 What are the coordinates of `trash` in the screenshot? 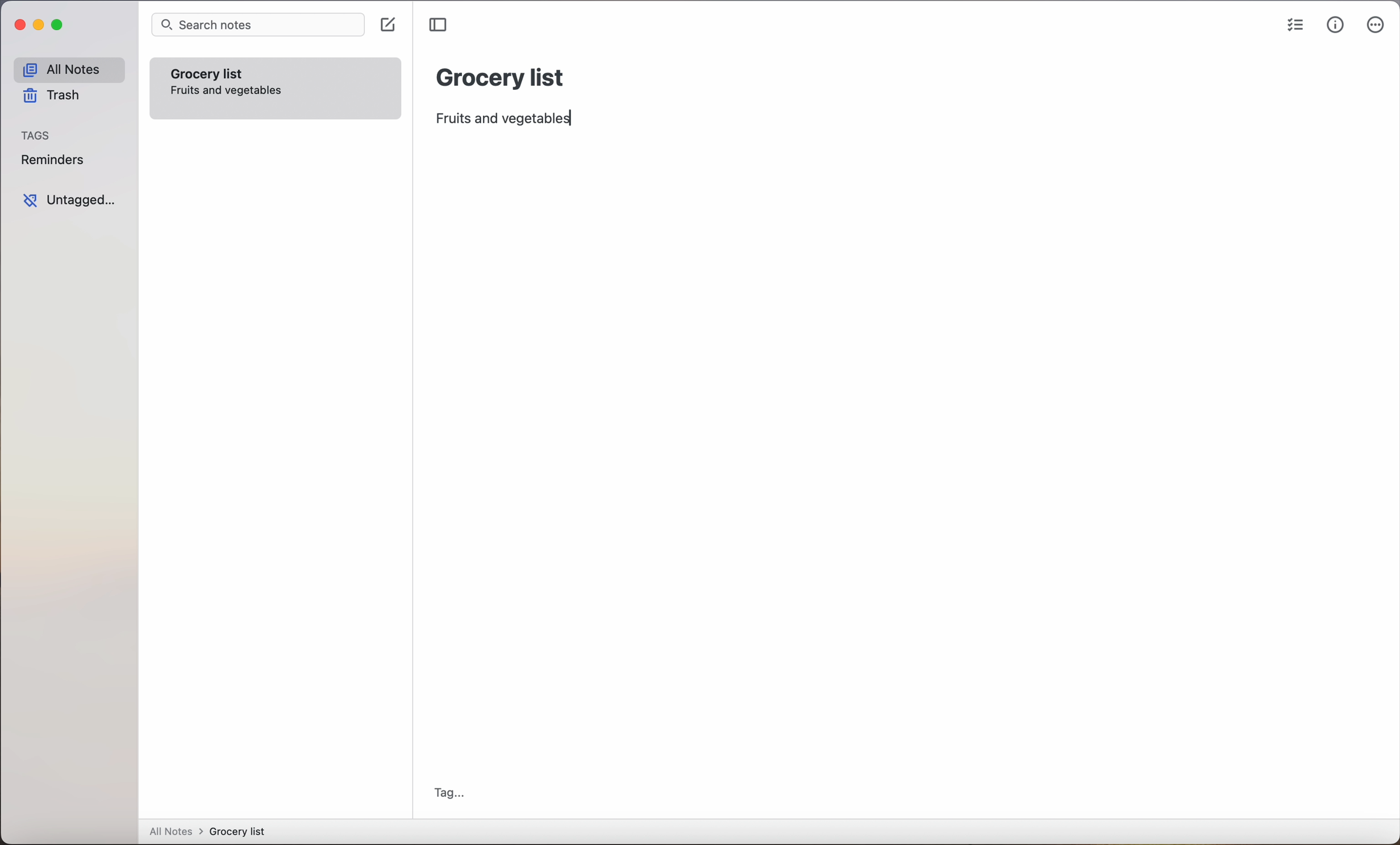 It's located at (50, 98).